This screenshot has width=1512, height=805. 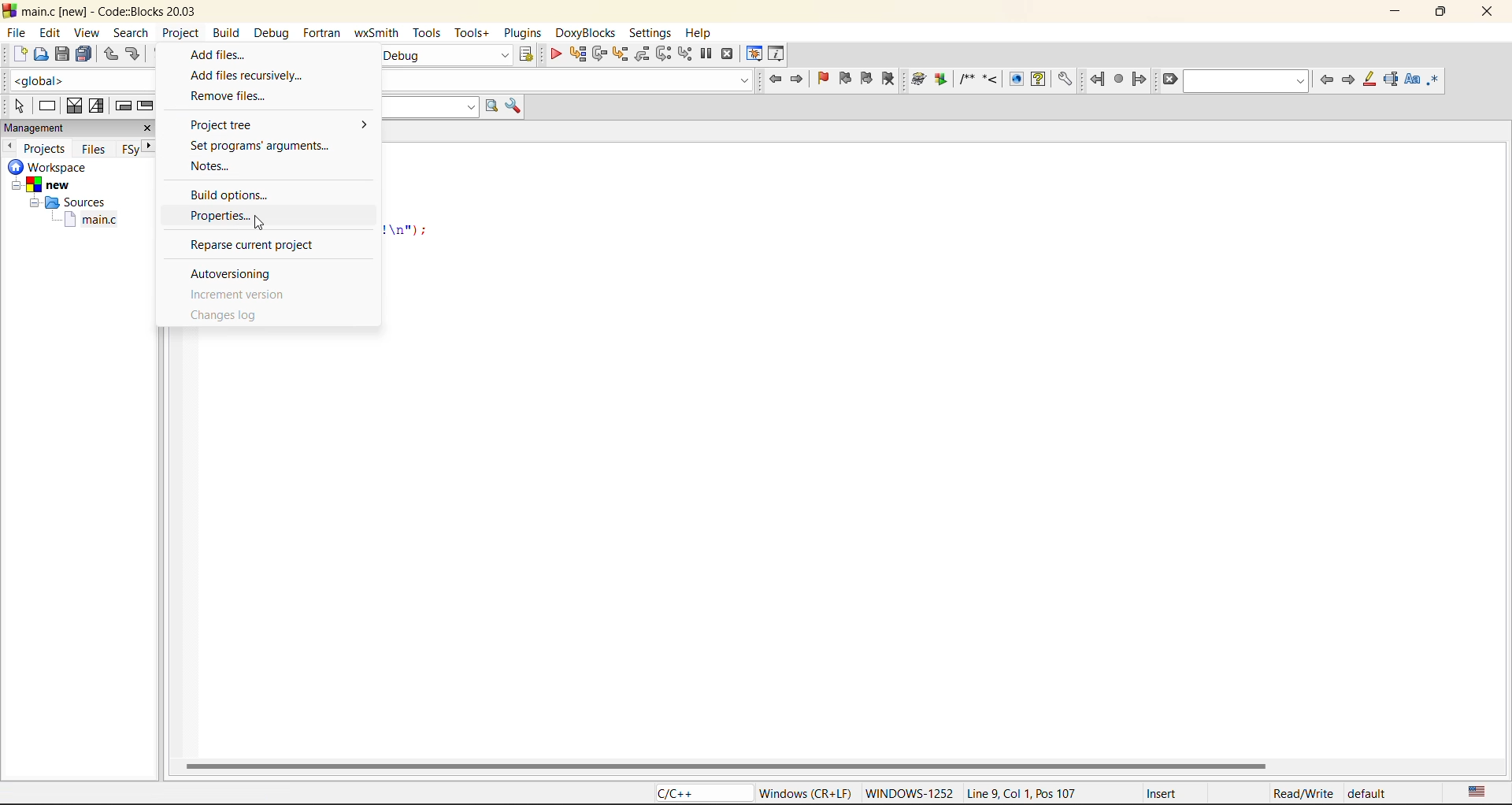 I want to click on <global>, so click(x=82, y=79).